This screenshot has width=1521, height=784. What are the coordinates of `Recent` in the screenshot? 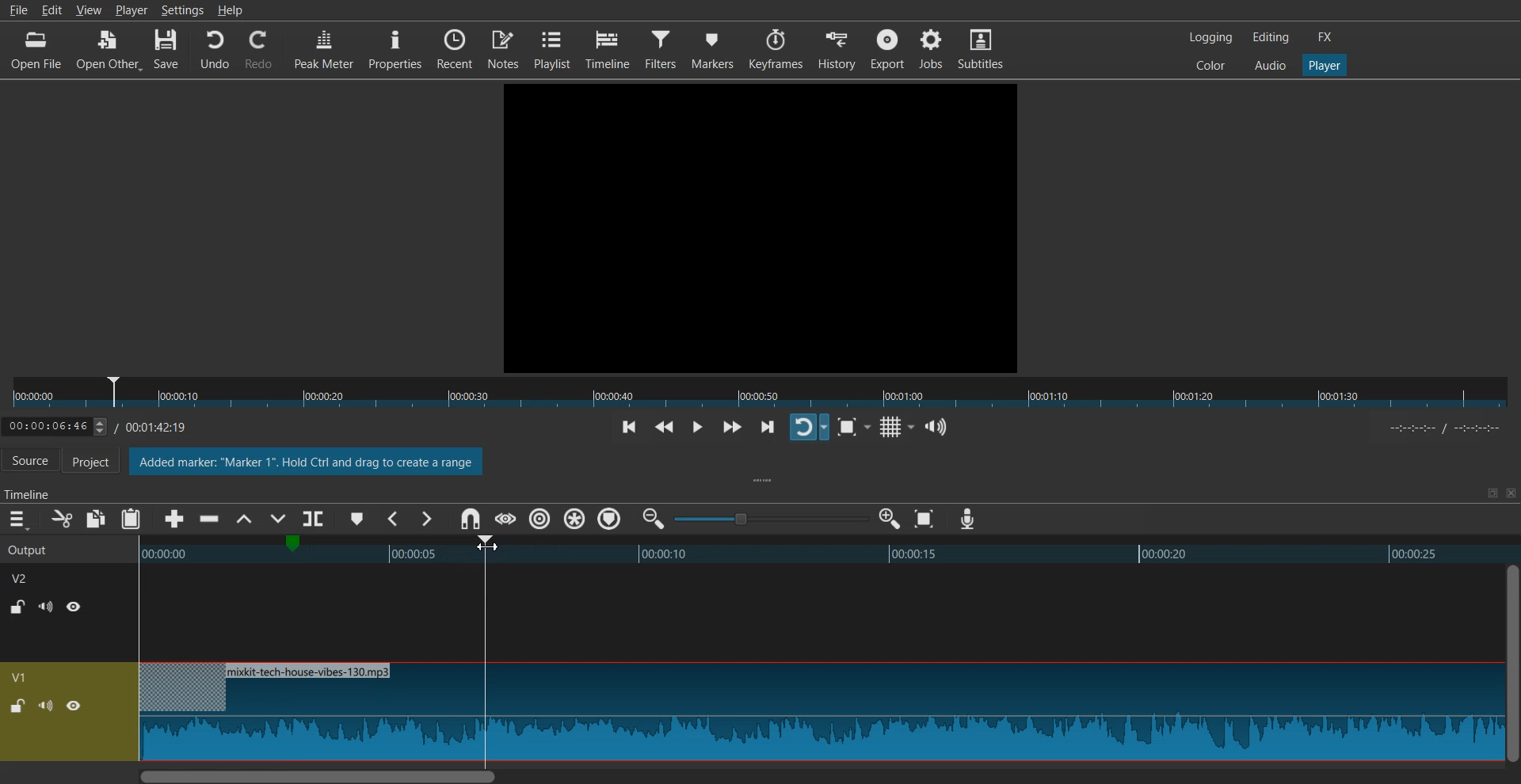 It's located at (455, 48).